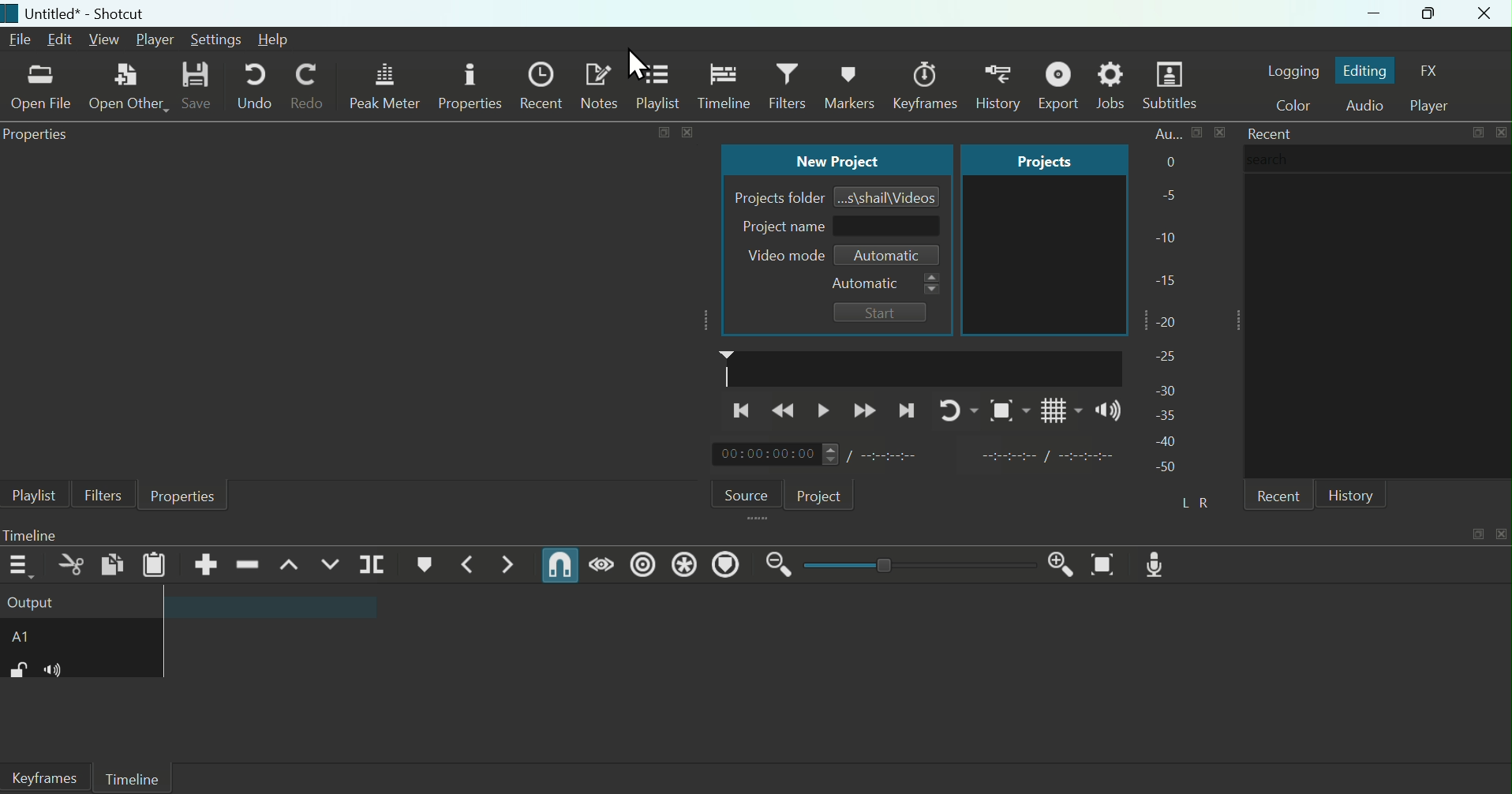 This screenshot has height=794, width=1512. I want to click on -50, so click(1166, 468).